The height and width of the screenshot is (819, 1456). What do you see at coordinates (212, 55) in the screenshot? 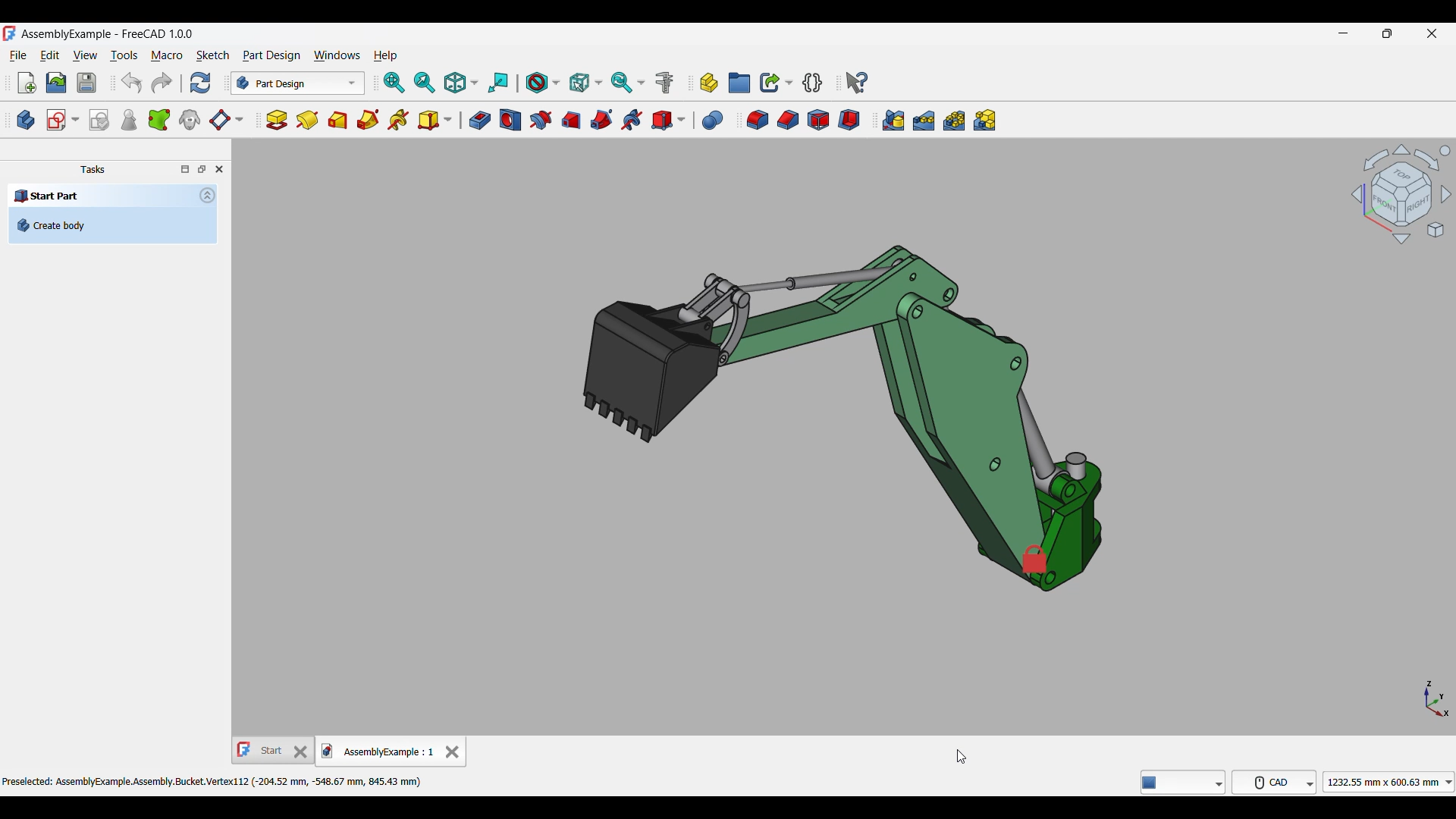
I see `Sketch menu` at bounding box center [212, 55].